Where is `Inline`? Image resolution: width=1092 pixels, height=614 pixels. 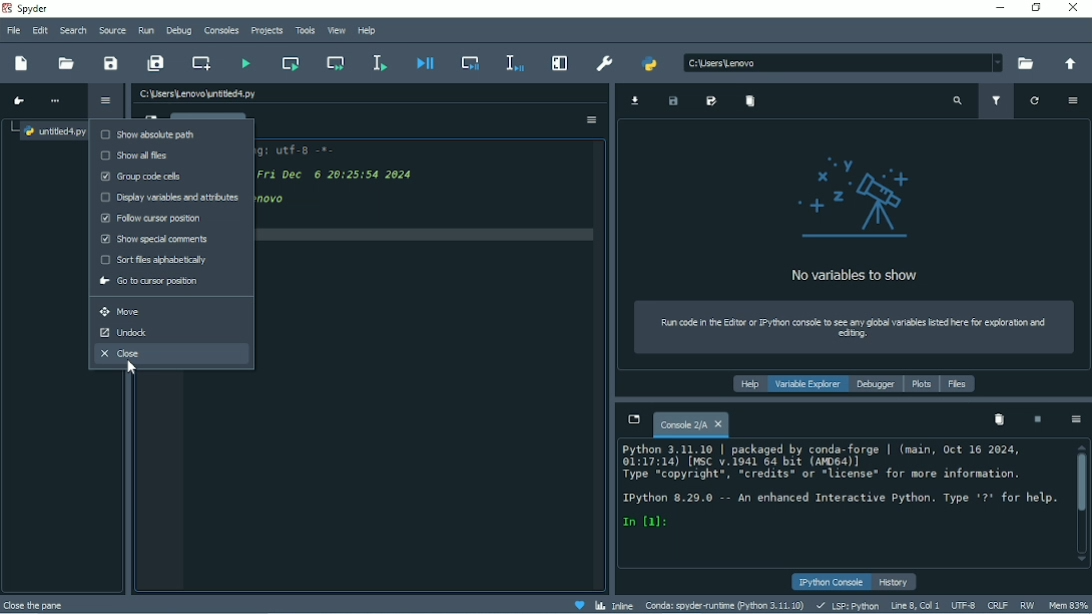
Inline is located at coordinates (614, 605).